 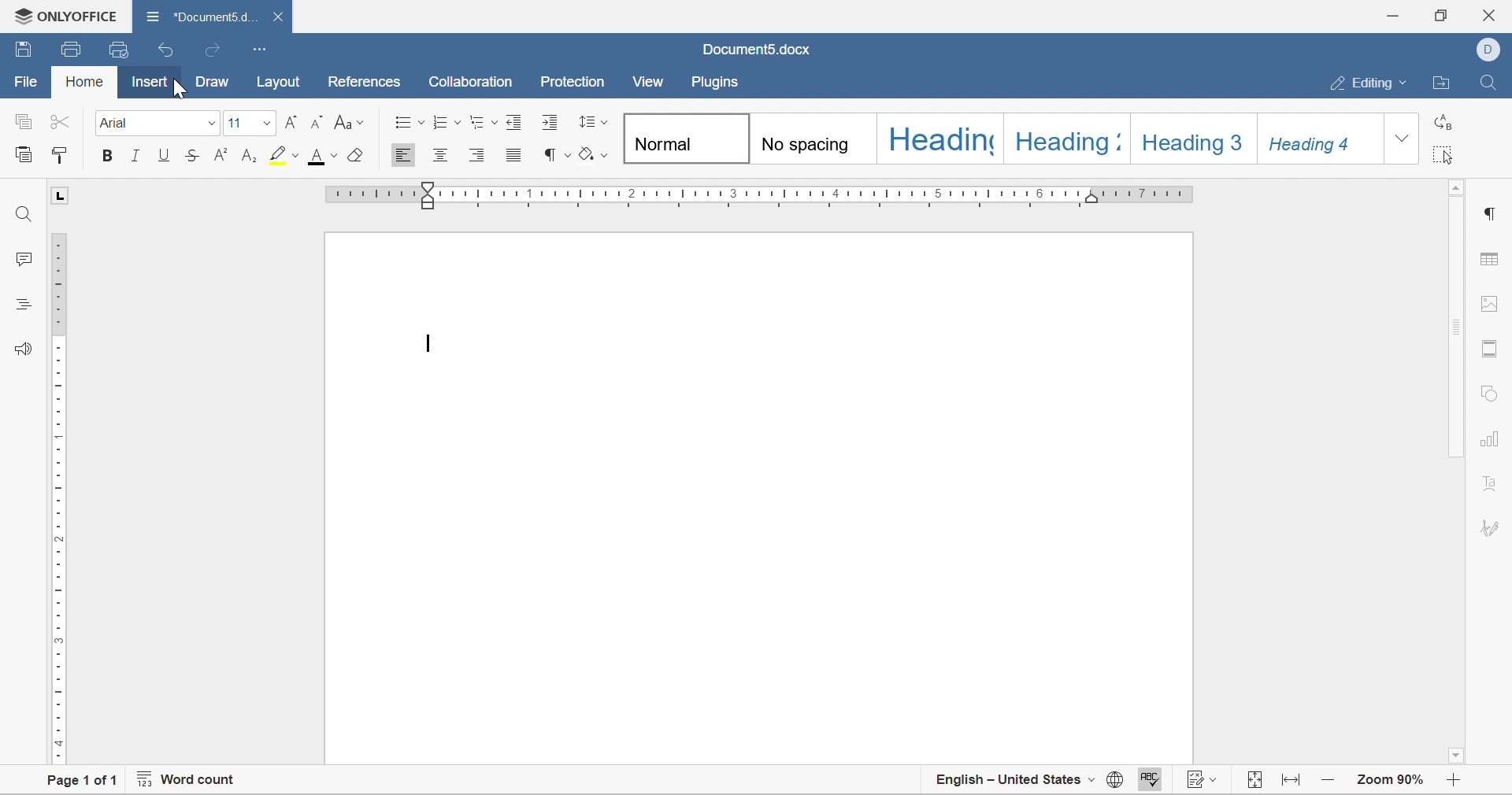 I want to click on find, so click(x=21, y=213).